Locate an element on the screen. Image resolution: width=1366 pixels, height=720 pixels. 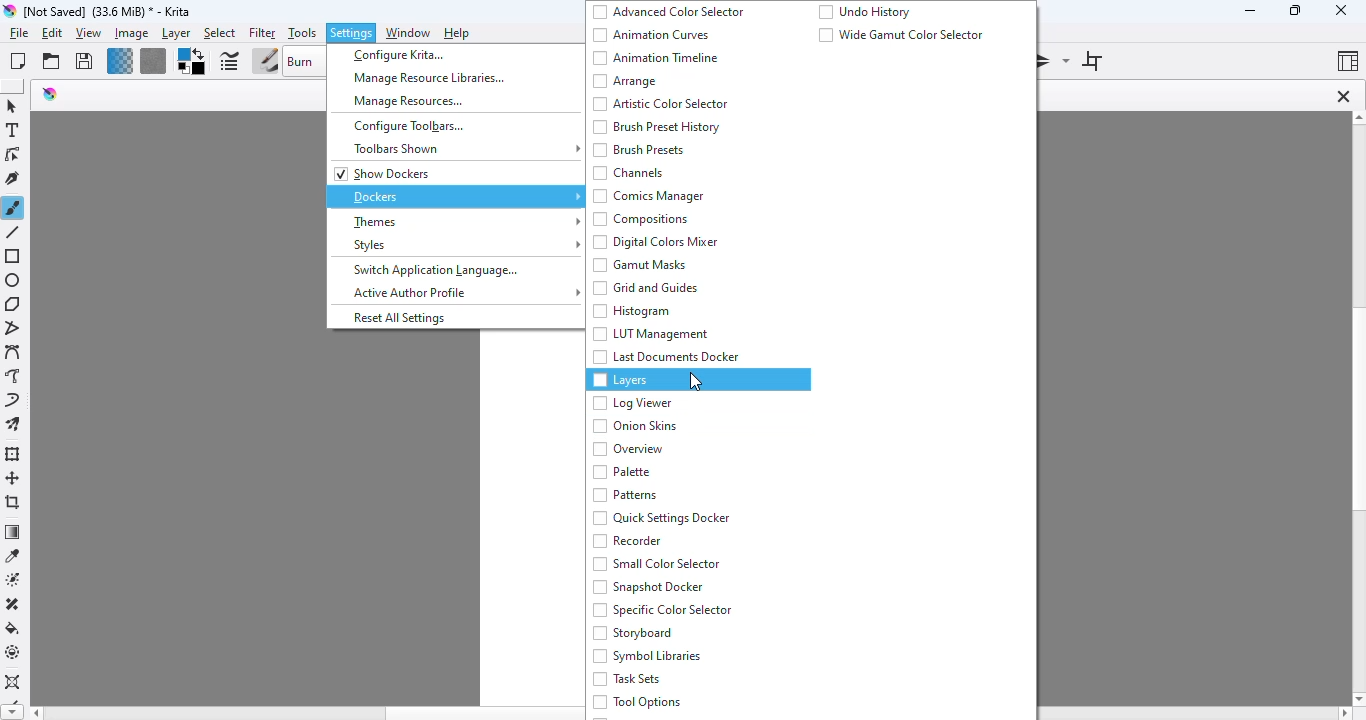
comics manager is located at coordinates (648, 196).